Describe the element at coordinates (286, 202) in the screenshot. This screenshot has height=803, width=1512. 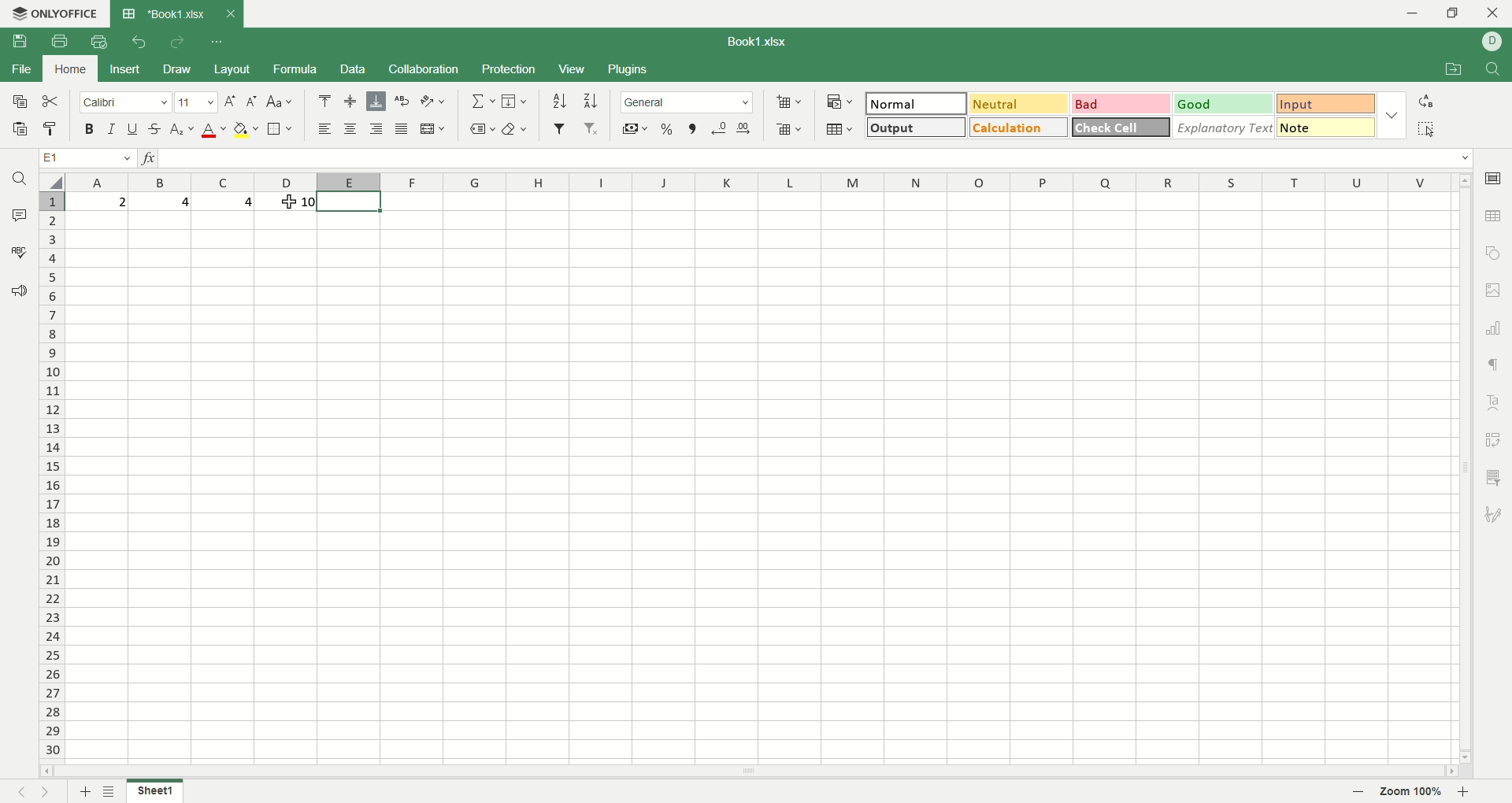
I see `value` at that location.